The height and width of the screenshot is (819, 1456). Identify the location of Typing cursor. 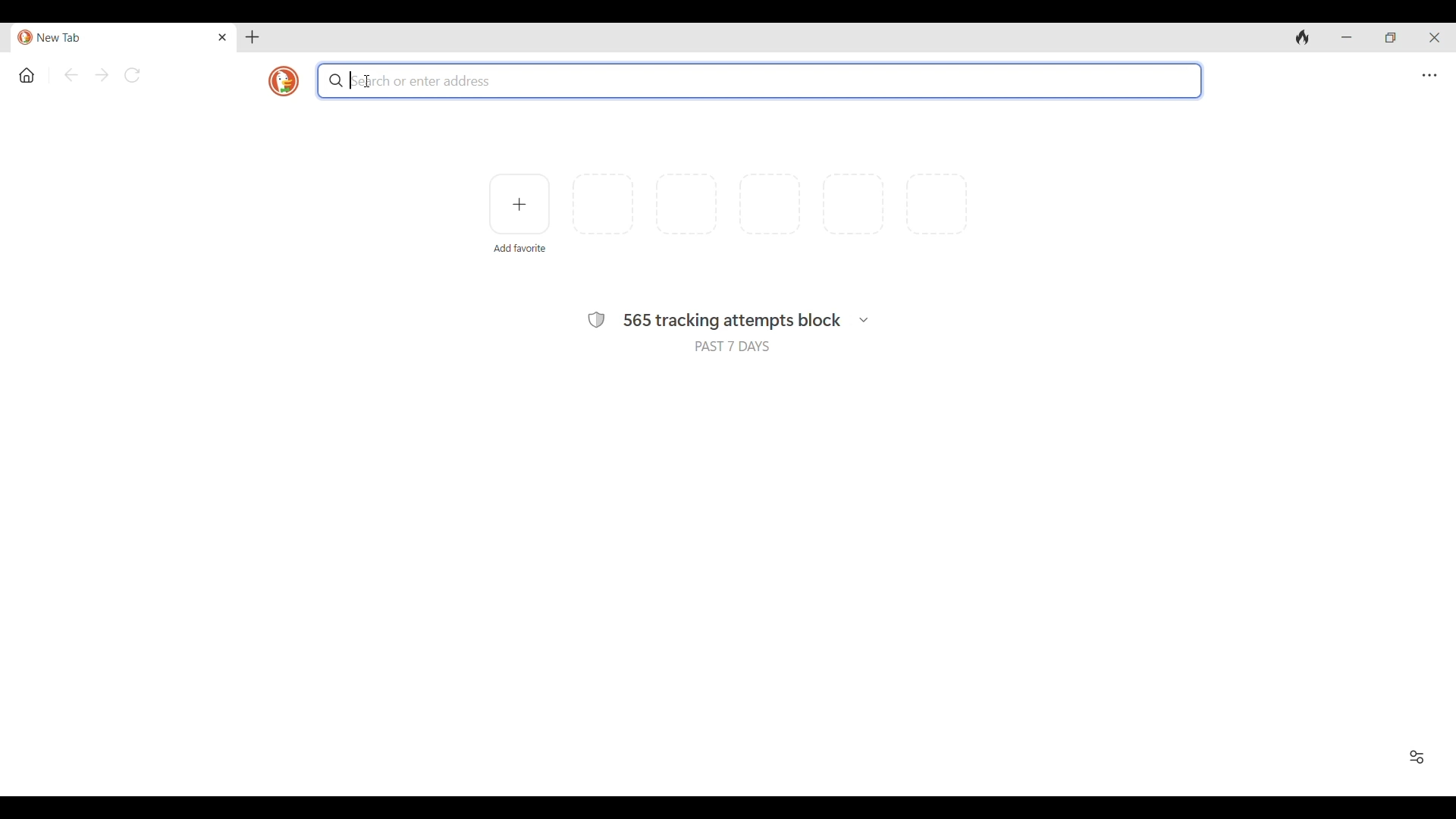
(347, 81).